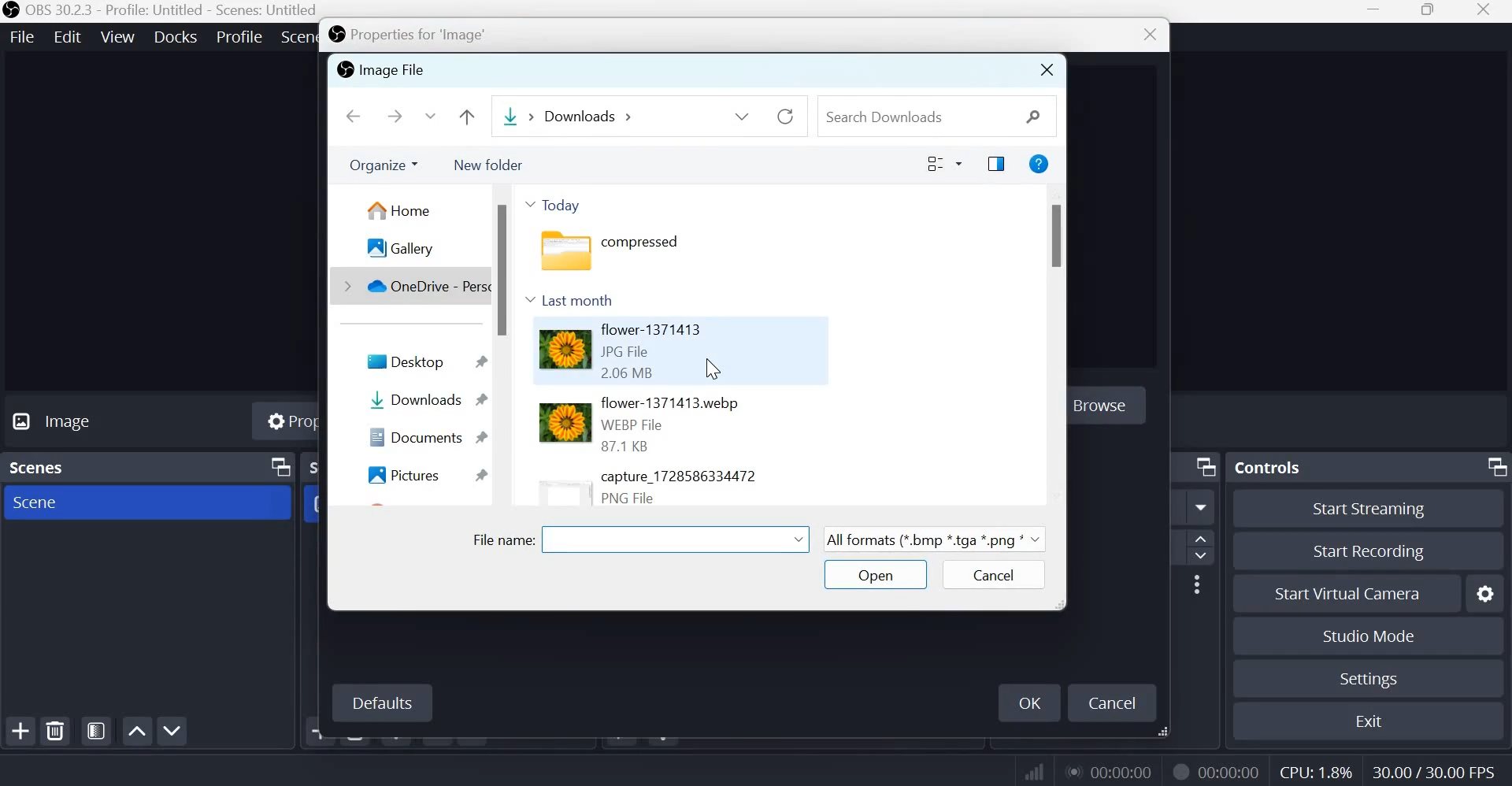 This screenshot has width=1512, height=786. What do you see at coordinates (465, 114) in the screenshot?
I see `up to "desktop"` at bounding box center [465, 114].